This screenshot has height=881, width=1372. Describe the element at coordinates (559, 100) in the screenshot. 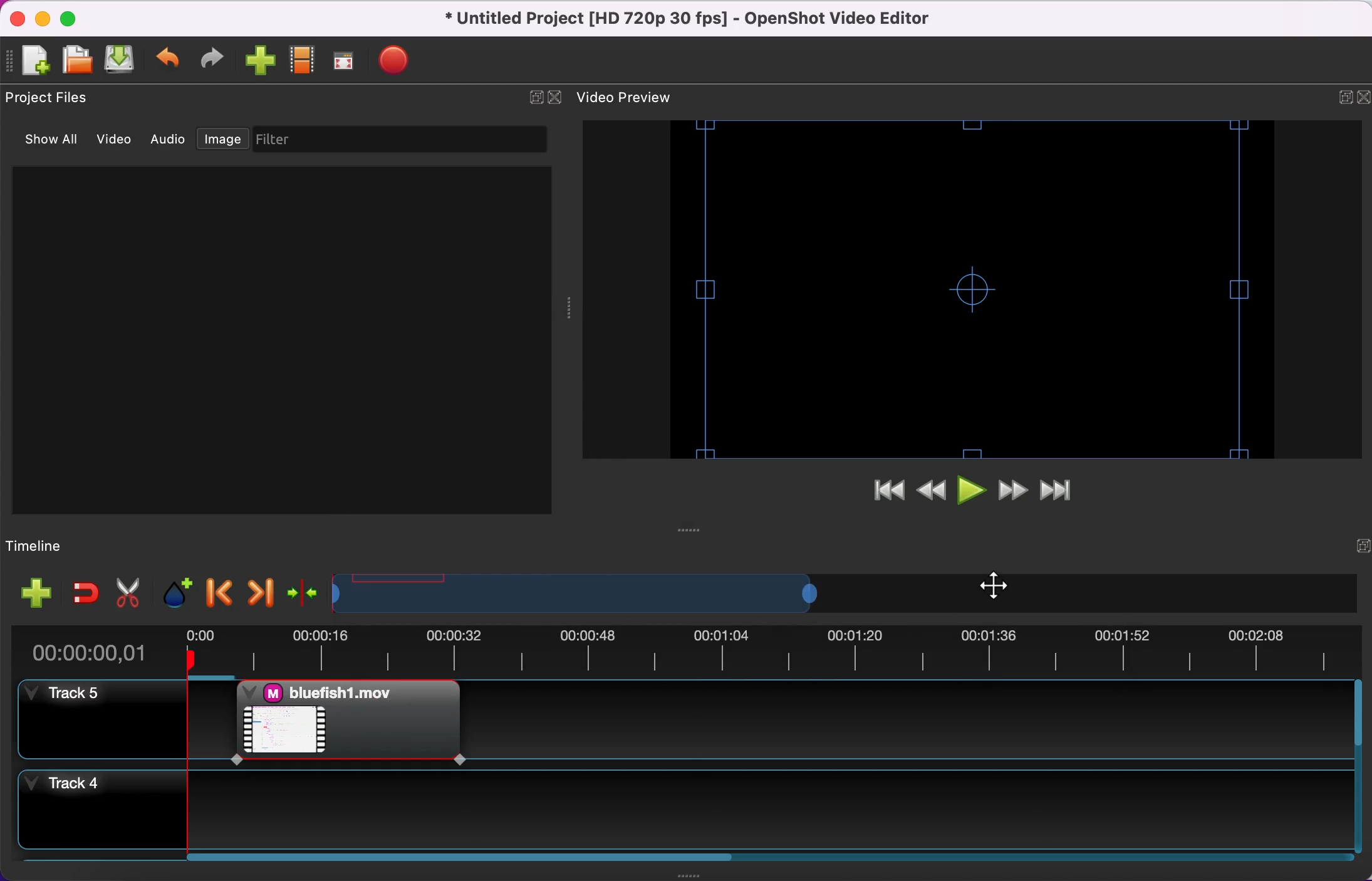

I see `close` at that location.